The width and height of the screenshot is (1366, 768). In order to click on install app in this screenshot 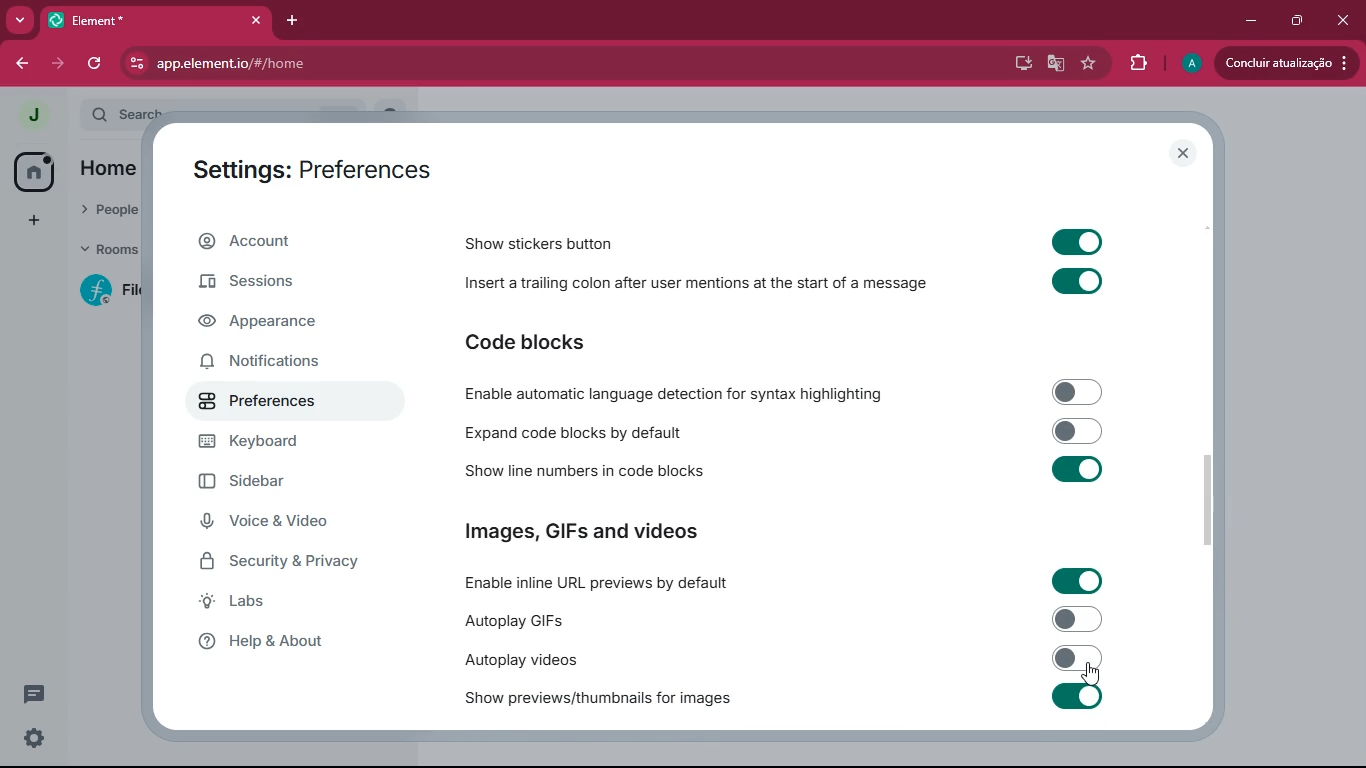, I will do `click(1016, 61)`.